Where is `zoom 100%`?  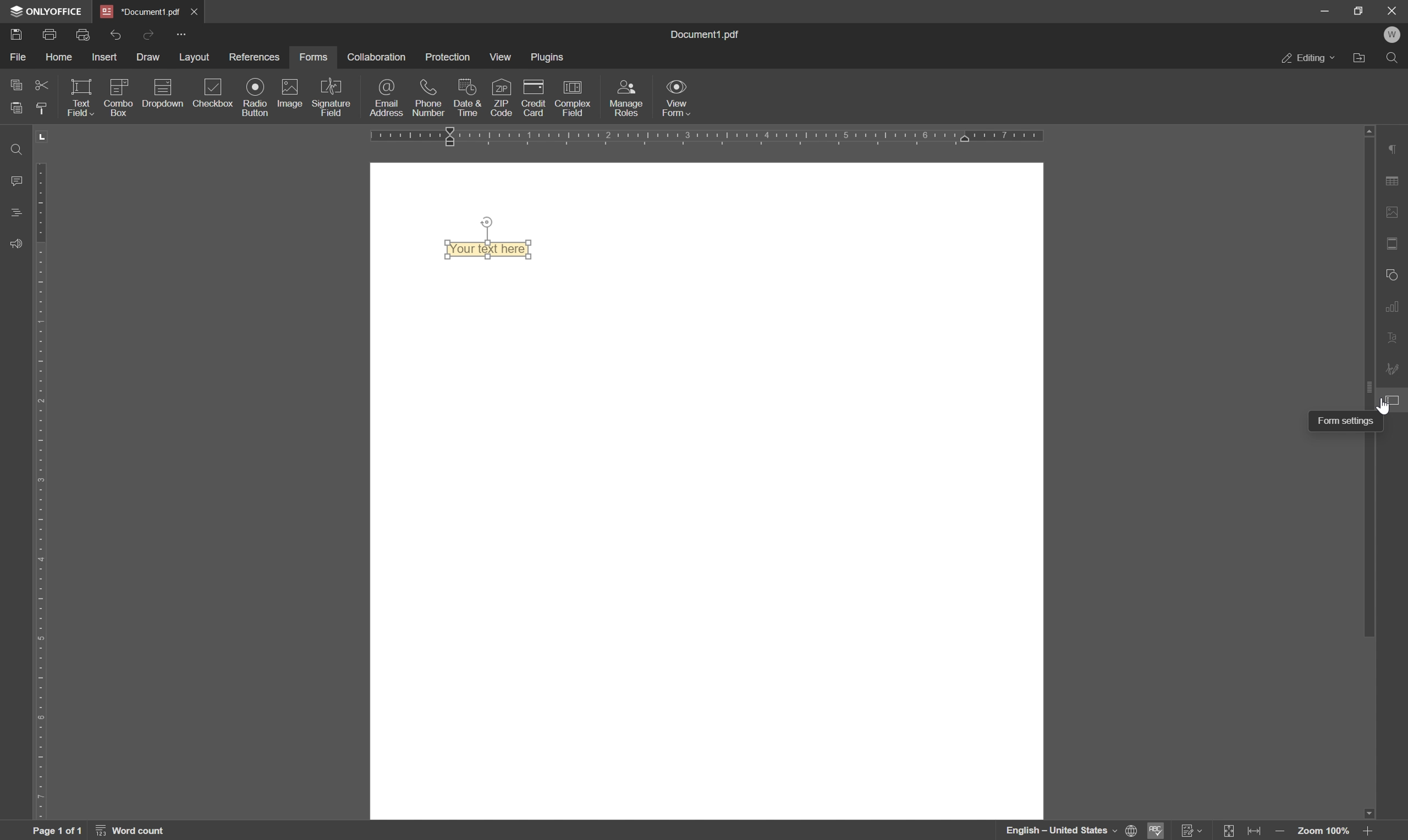
zoom 100% is located at coordinates (1325, 832).